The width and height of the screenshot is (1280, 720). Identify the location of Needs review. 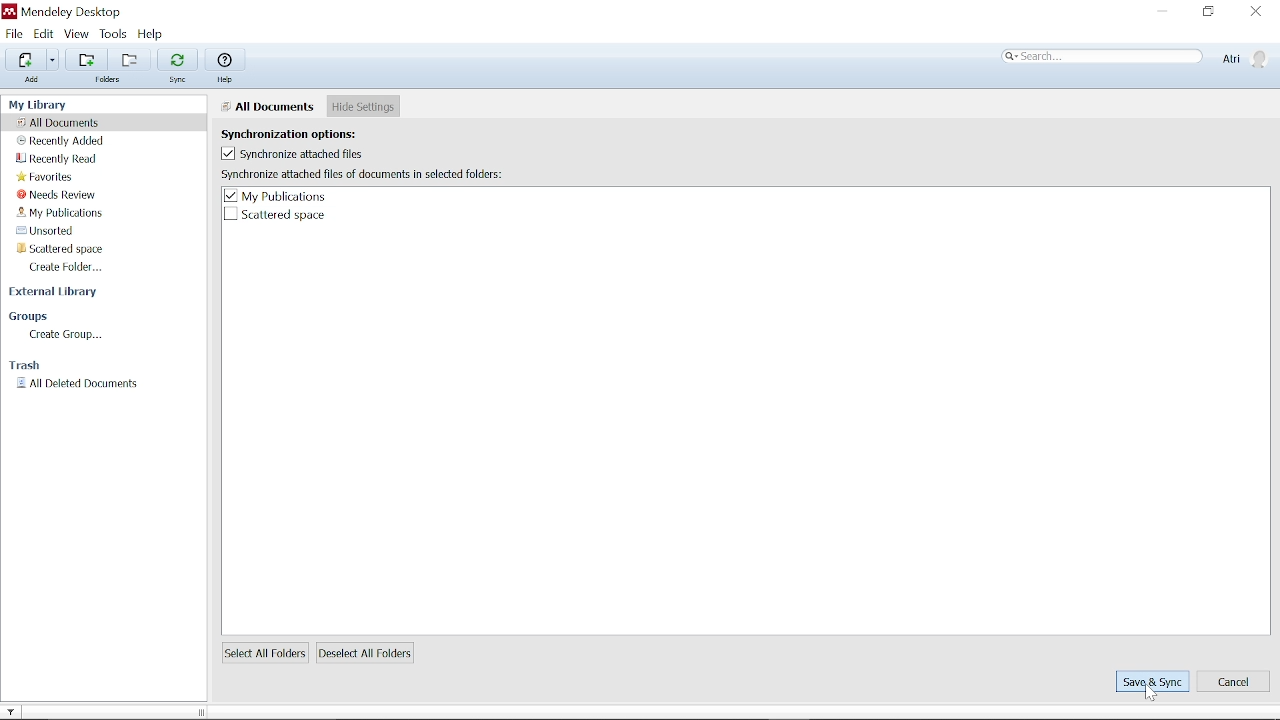
(59, 195).